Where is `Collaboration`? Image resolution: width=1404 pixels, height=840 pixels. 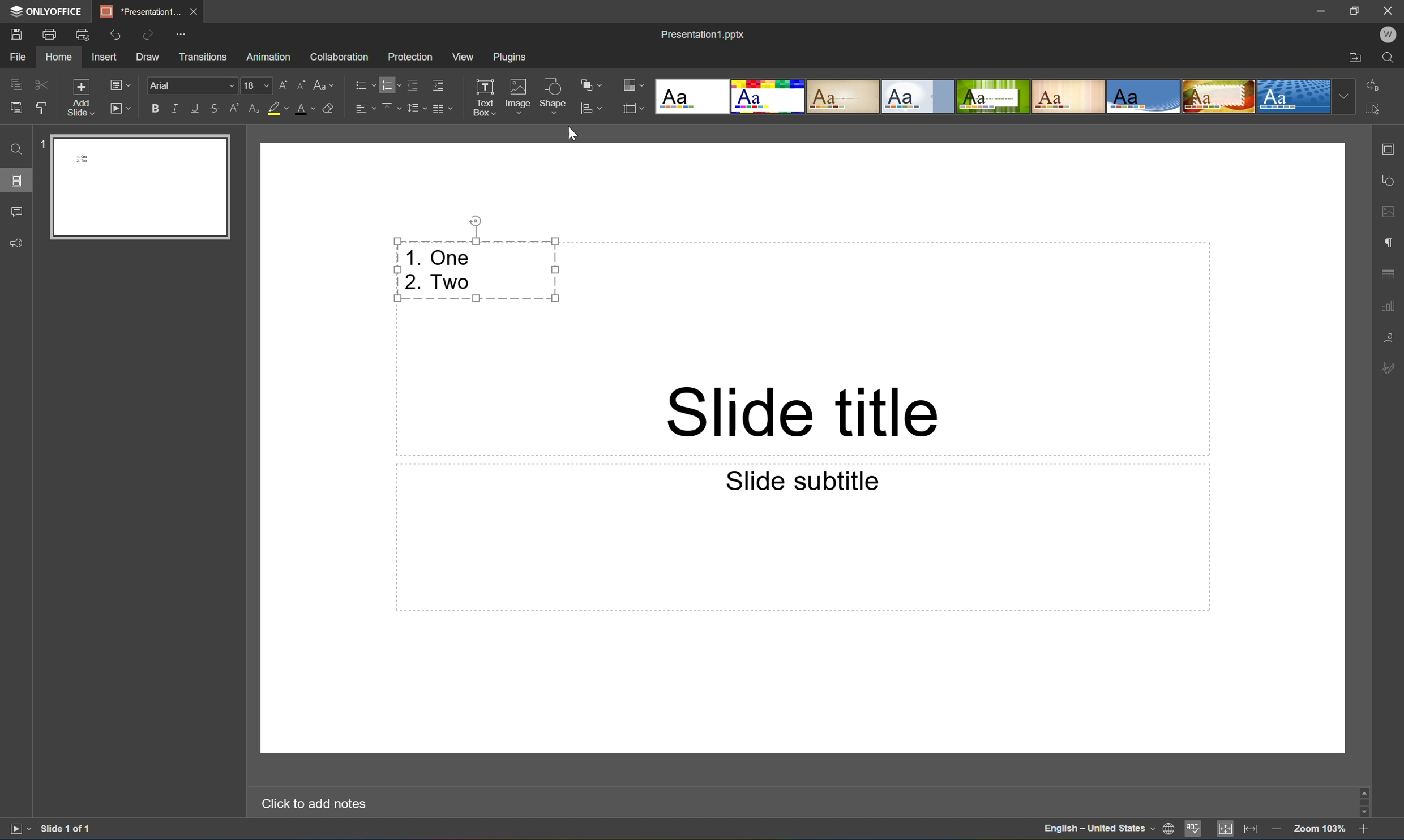
Collaboration is located at coordinates (341, 58).